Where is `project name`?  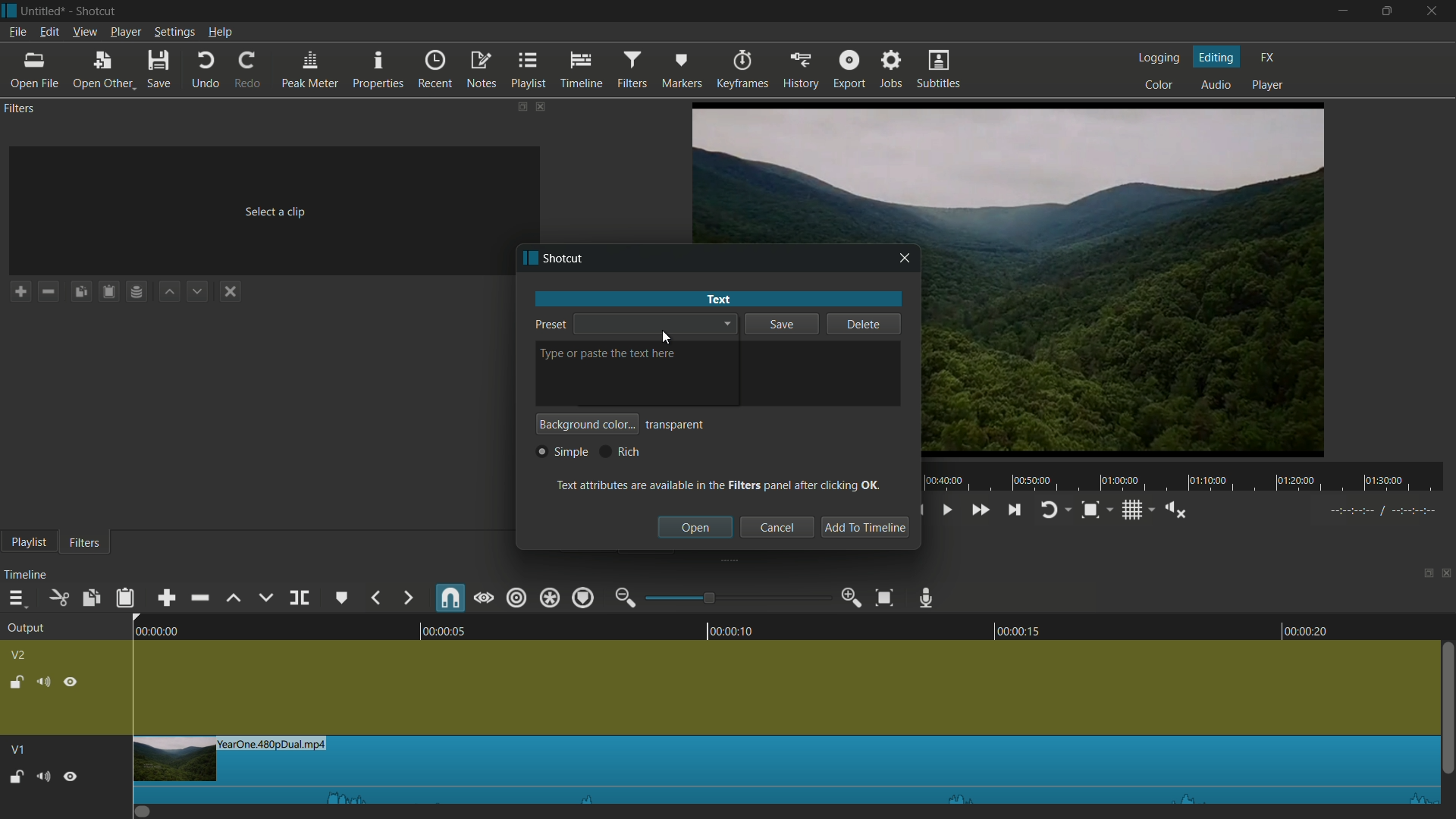
project name is located at coordinates (43, 11).